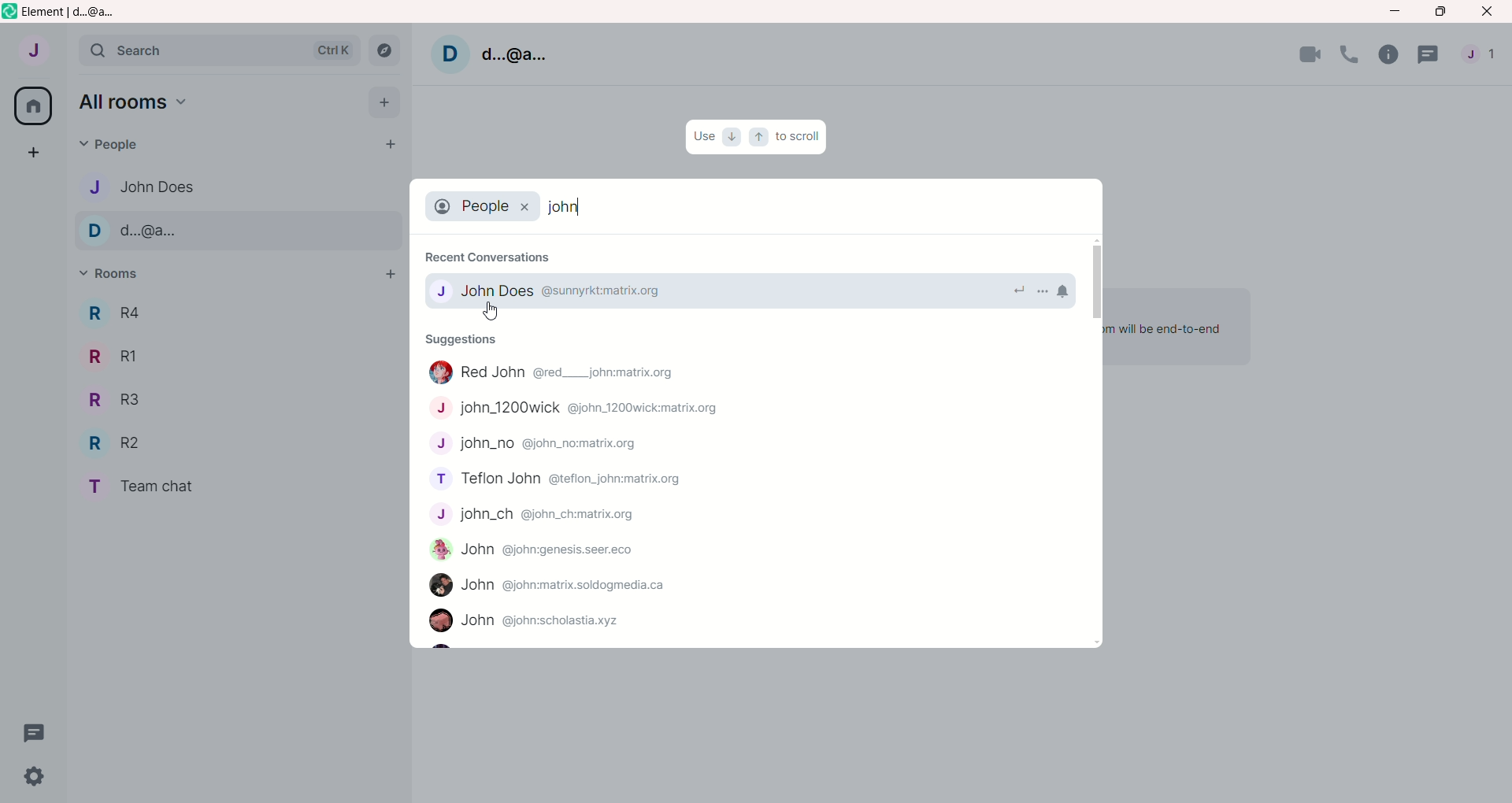 This screenshot has width=1512, height=803. What do you see at coordinates (134, 103) in the screenshot?
I see `all rooms` at bounding box center [134, 103].